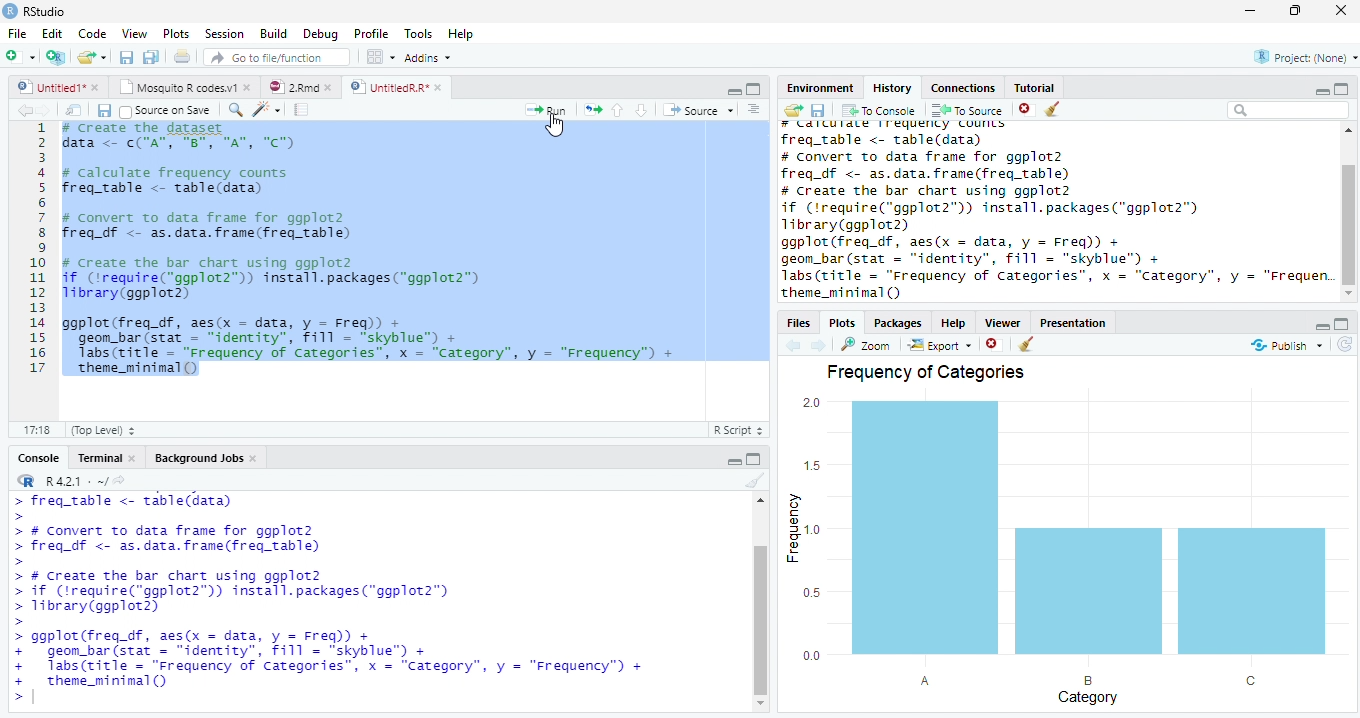  Describe the element at coordinates (795, 345) in the screenshot. I see `Back` at that location.